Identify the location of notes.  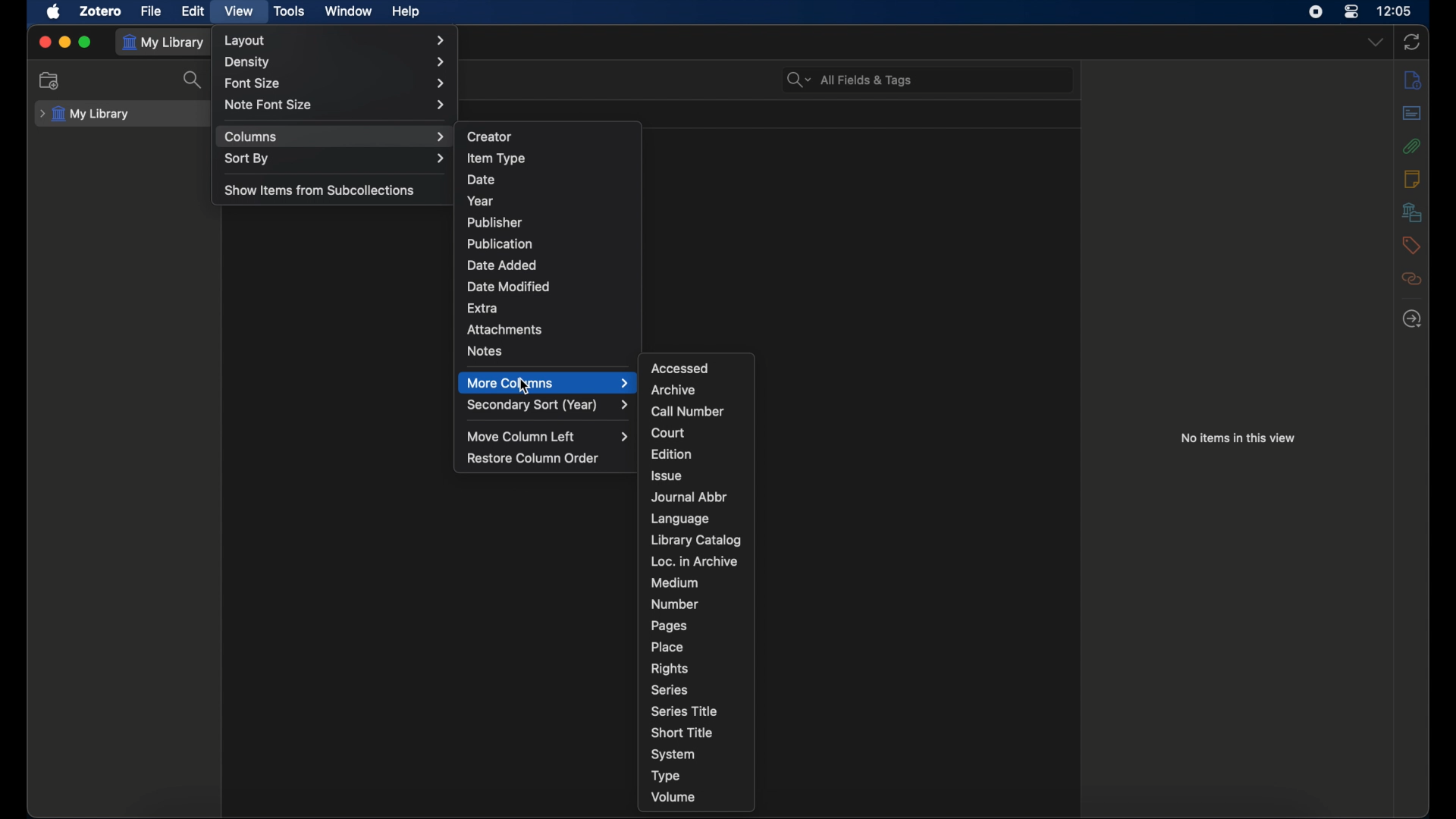
(484, 350).